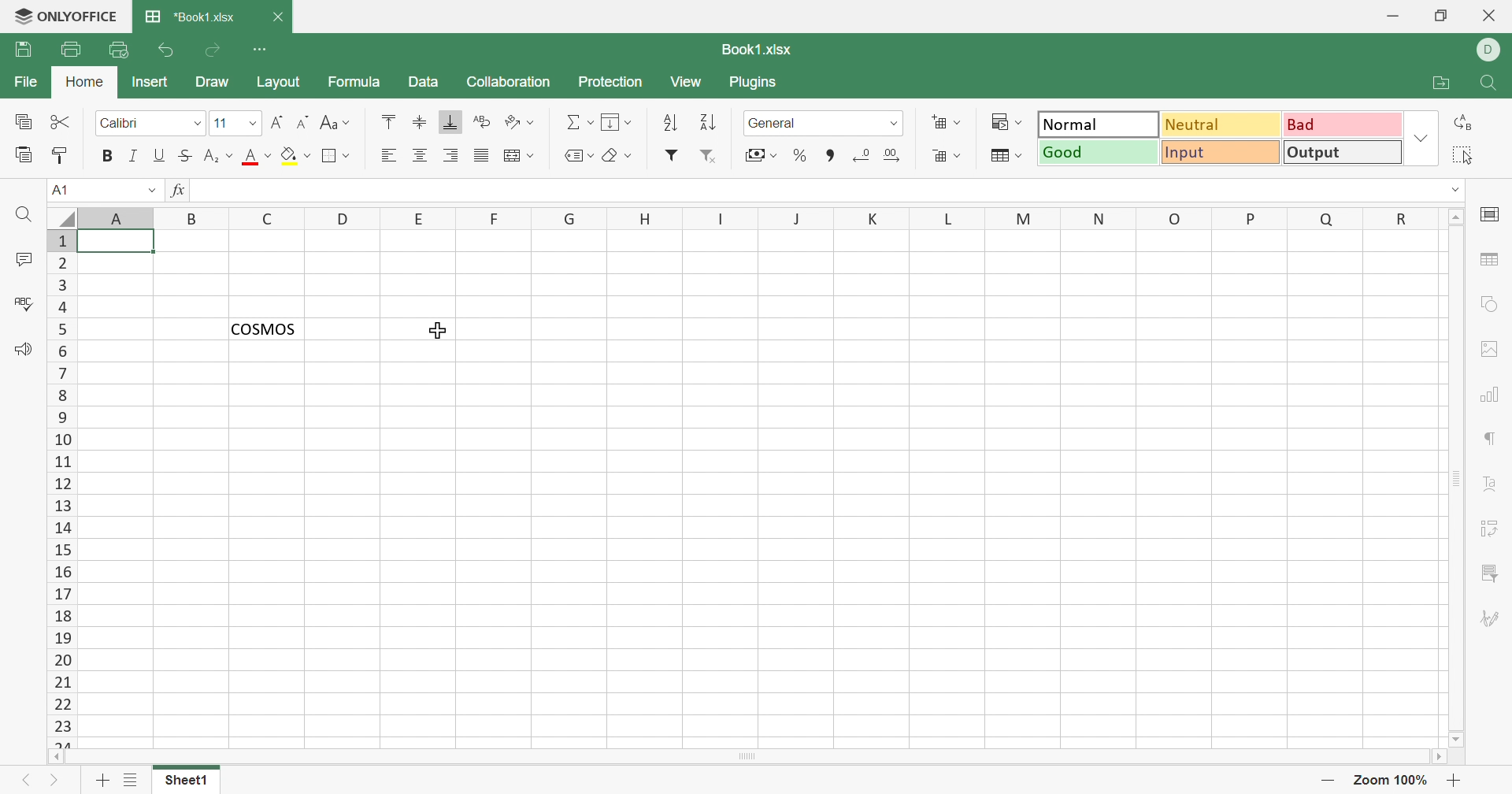 The width and height of the screenshot is (1512, 794). I want to click on Add sheet, so click(102, 781).